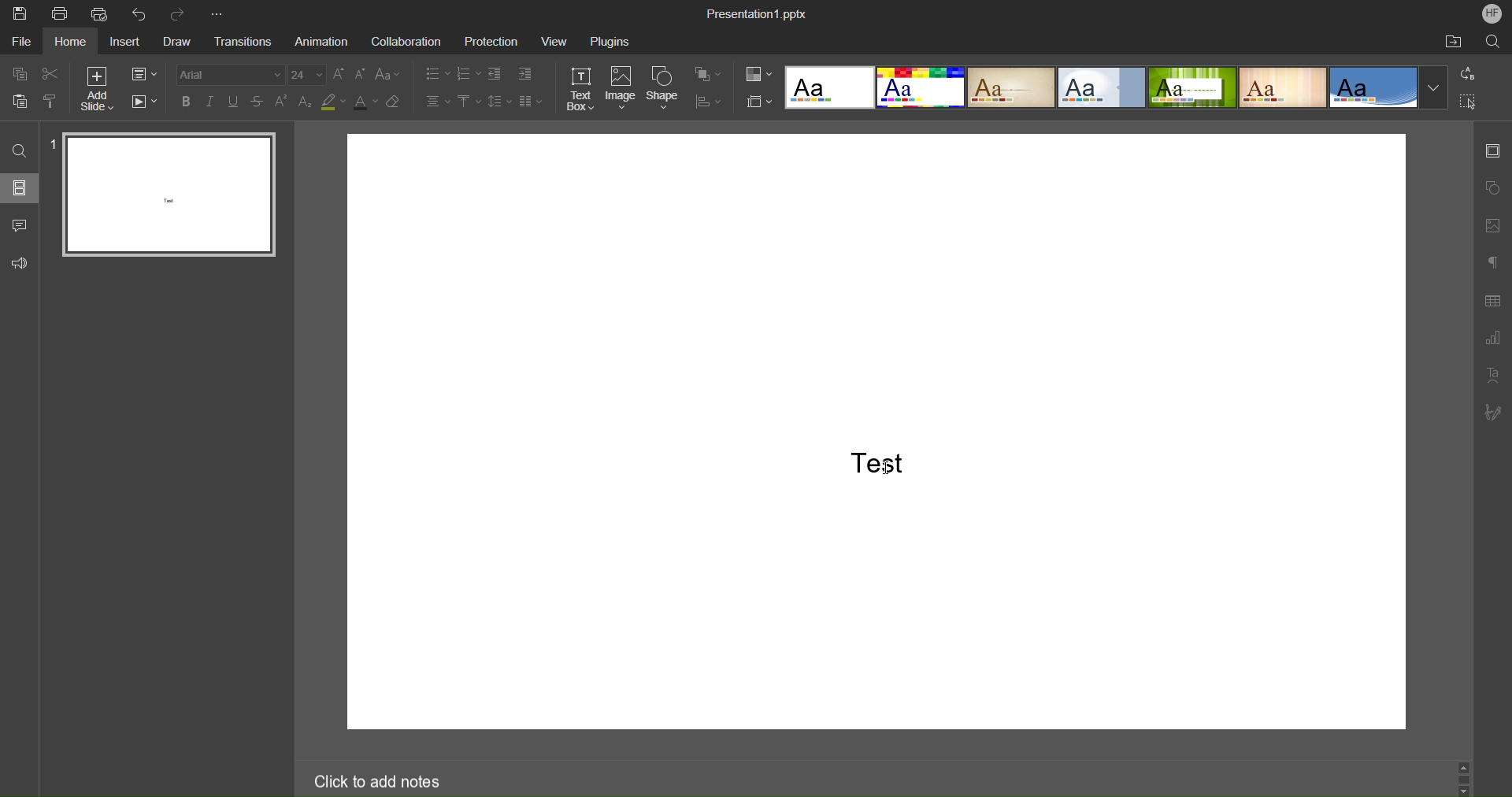 The image size is (1512, 797). I want to click on Image, so click(621, 88).